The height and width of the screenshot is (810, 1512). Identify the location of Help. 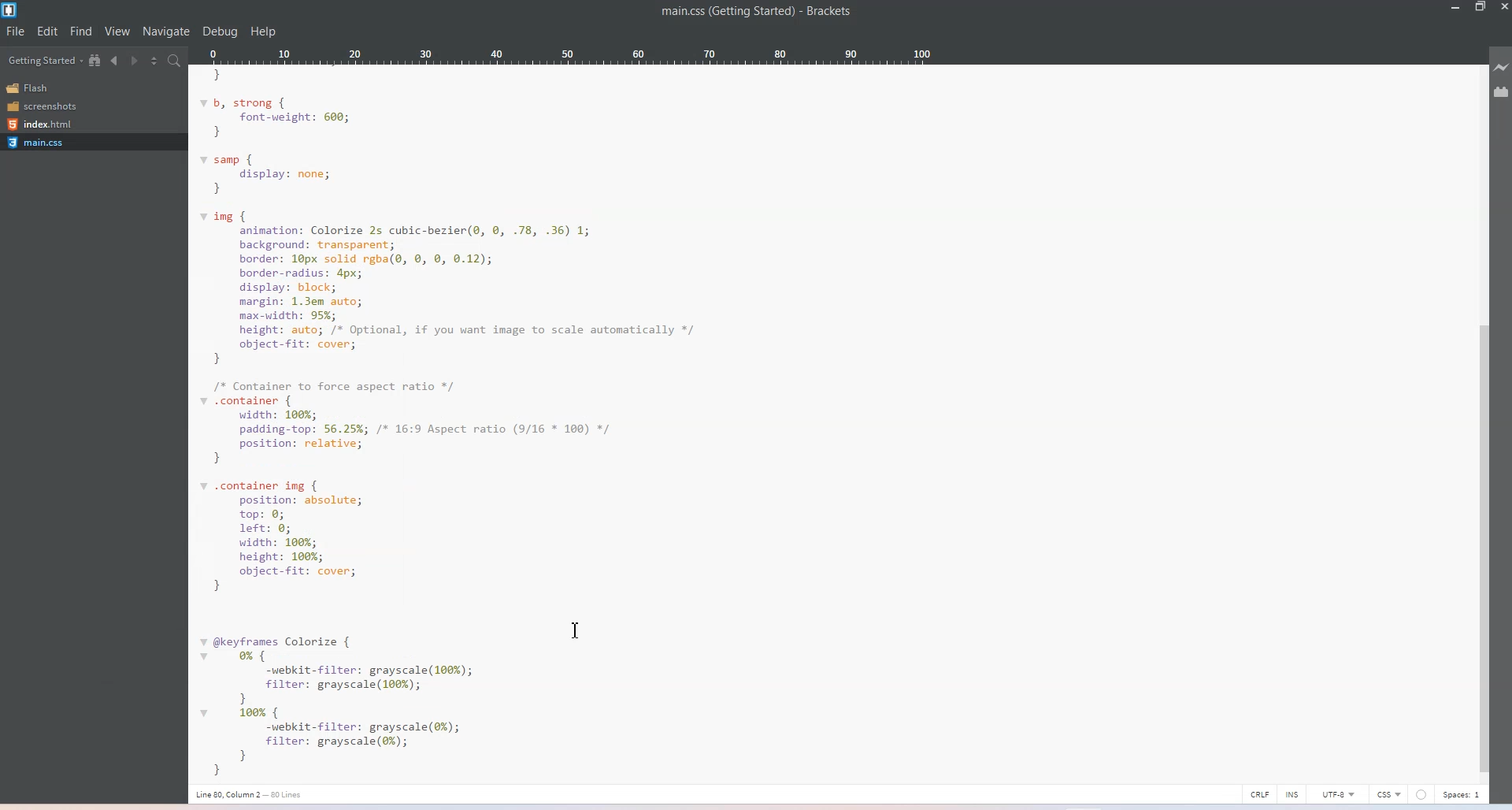
(263, 32).